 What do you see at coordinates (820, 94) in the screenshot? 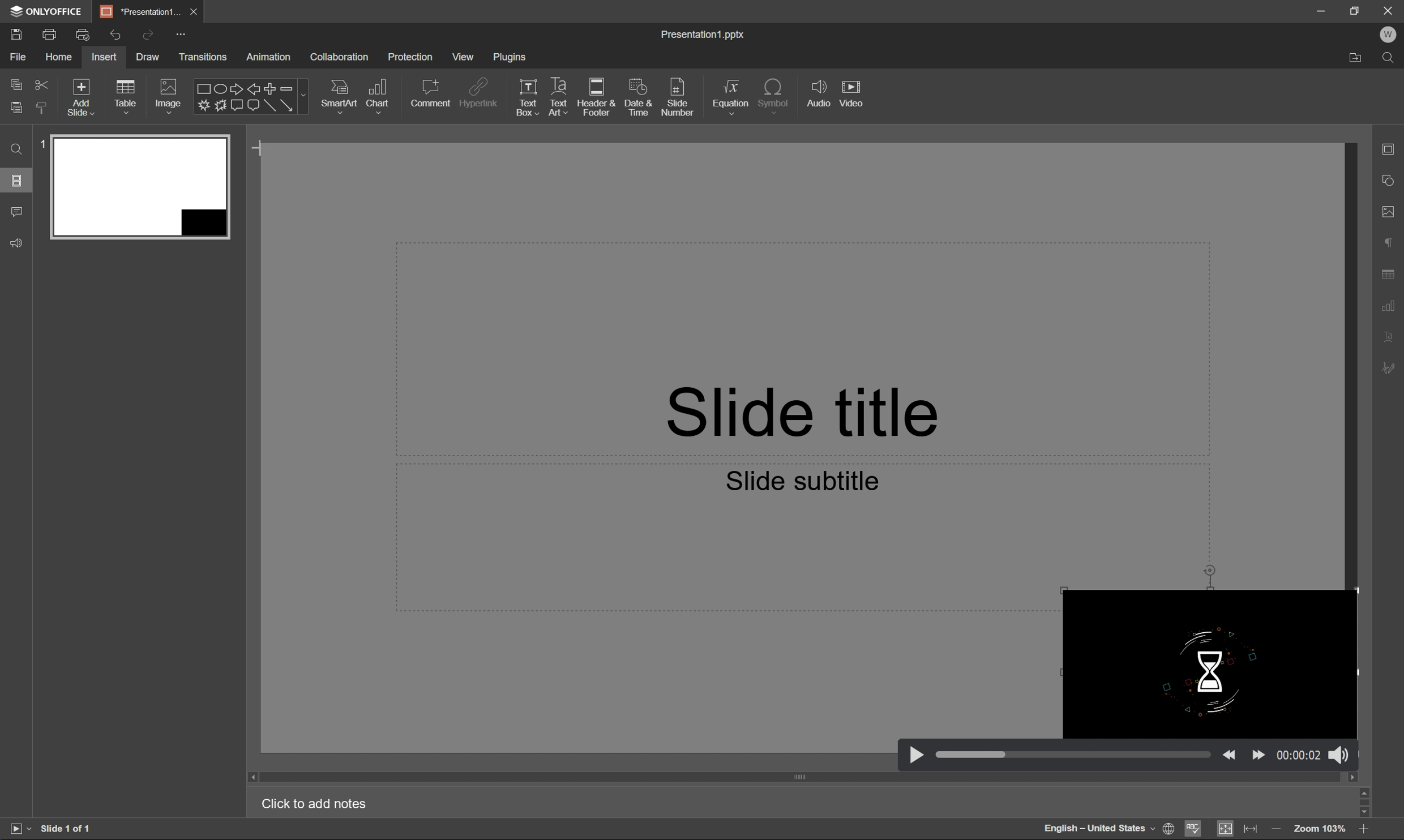
I see `audio` at bounding box center [820, 94].